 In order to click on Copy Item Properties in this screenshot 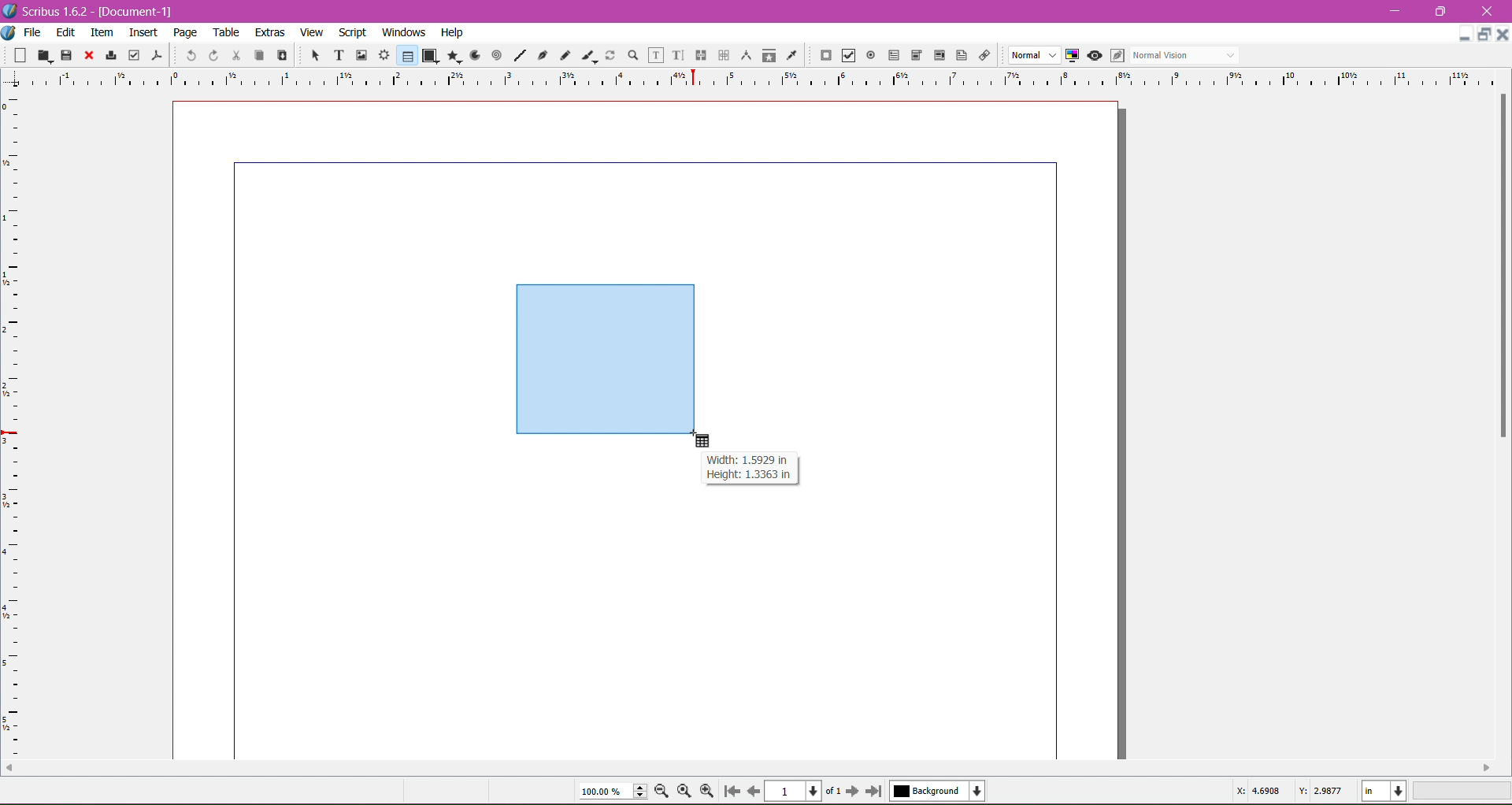, I will do `click(769, 54)`.